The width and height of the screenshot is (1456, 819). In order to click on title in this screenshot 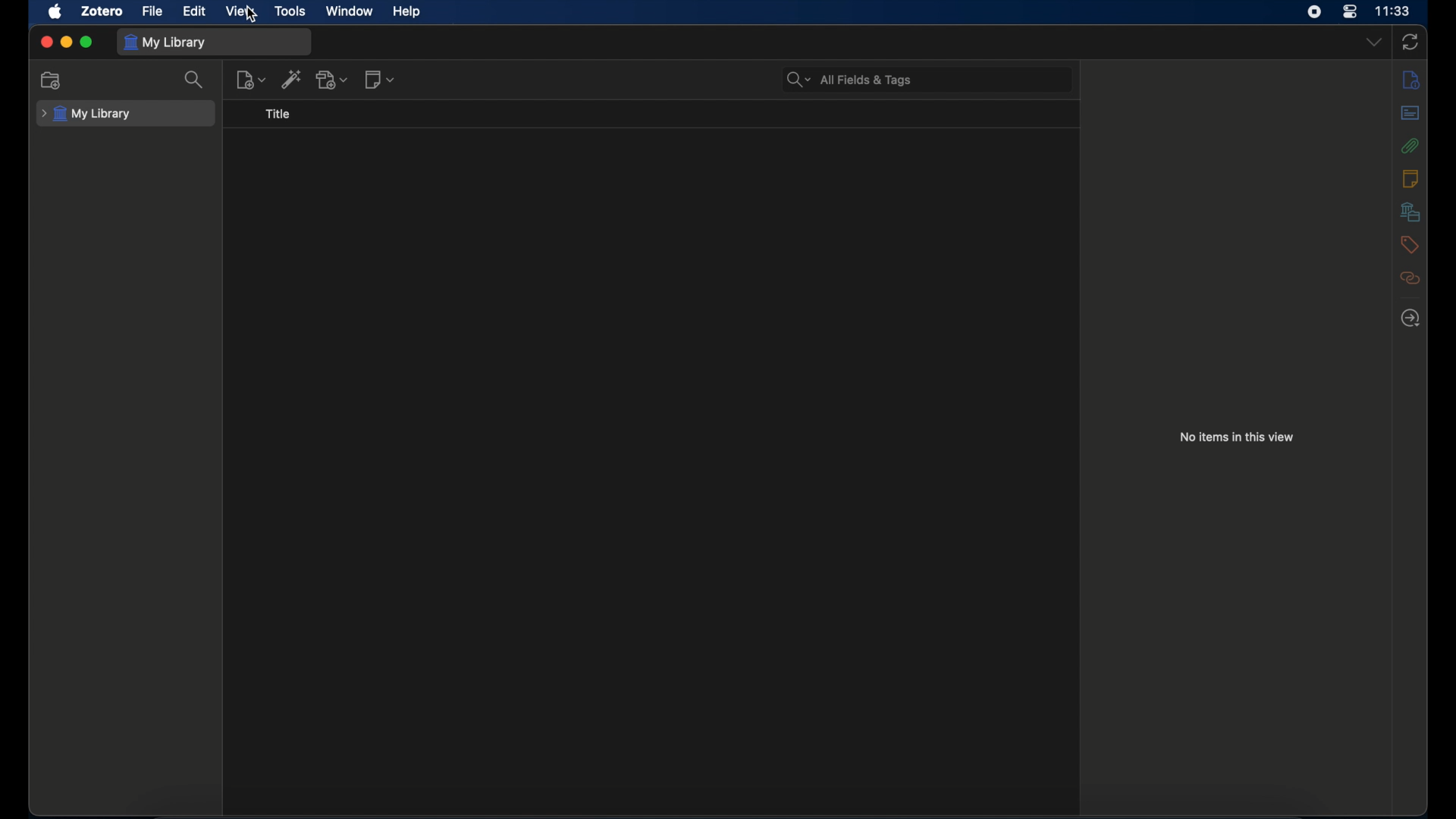, I will do `click(278, 114)`.